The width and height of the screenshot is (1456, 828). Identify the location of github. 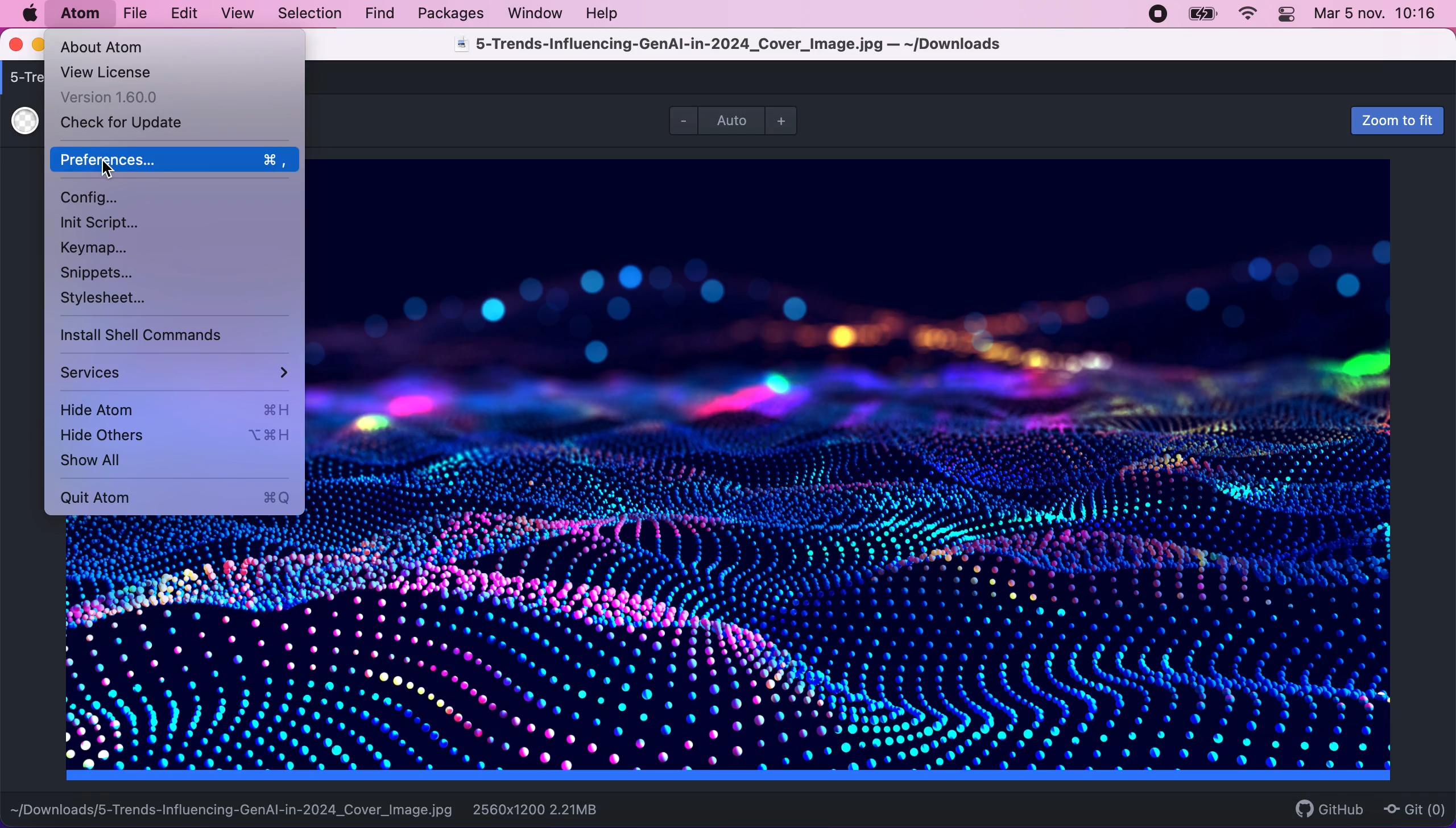
(1324, 809).